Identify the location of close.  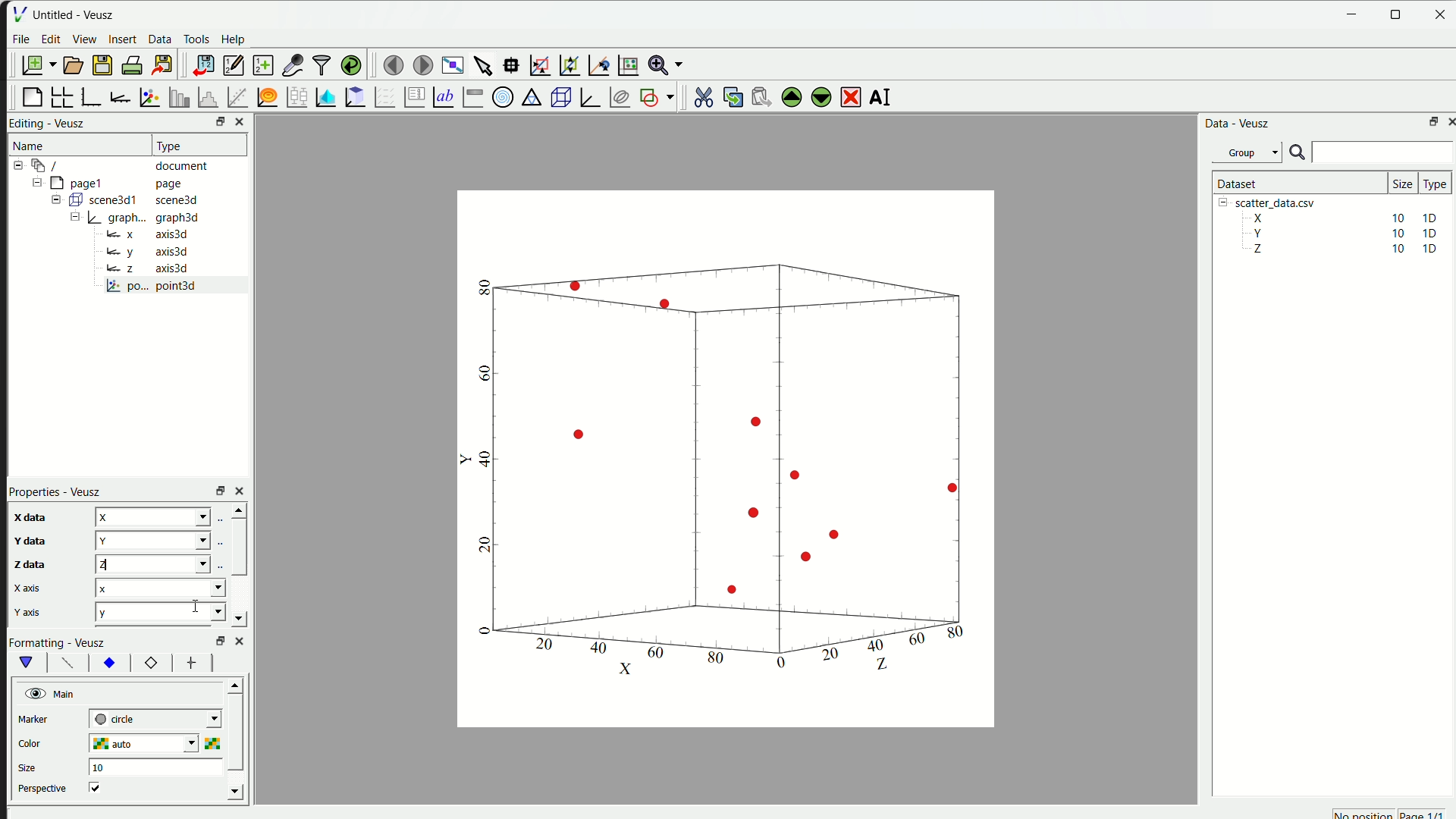
(237, 122).